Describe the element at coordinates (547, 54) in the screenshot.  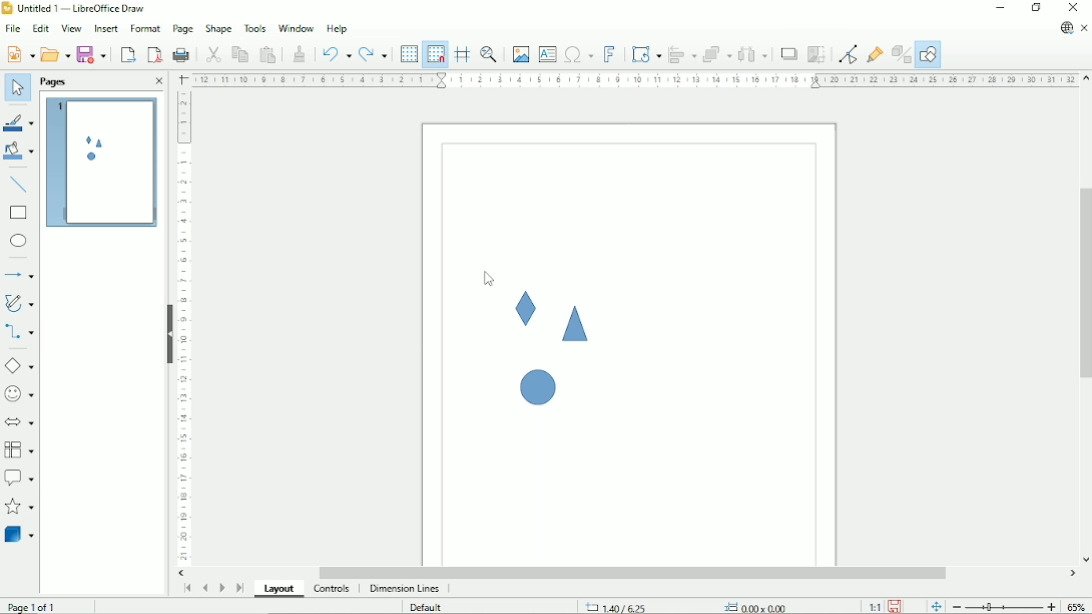
I see `Insert text box` at that location.